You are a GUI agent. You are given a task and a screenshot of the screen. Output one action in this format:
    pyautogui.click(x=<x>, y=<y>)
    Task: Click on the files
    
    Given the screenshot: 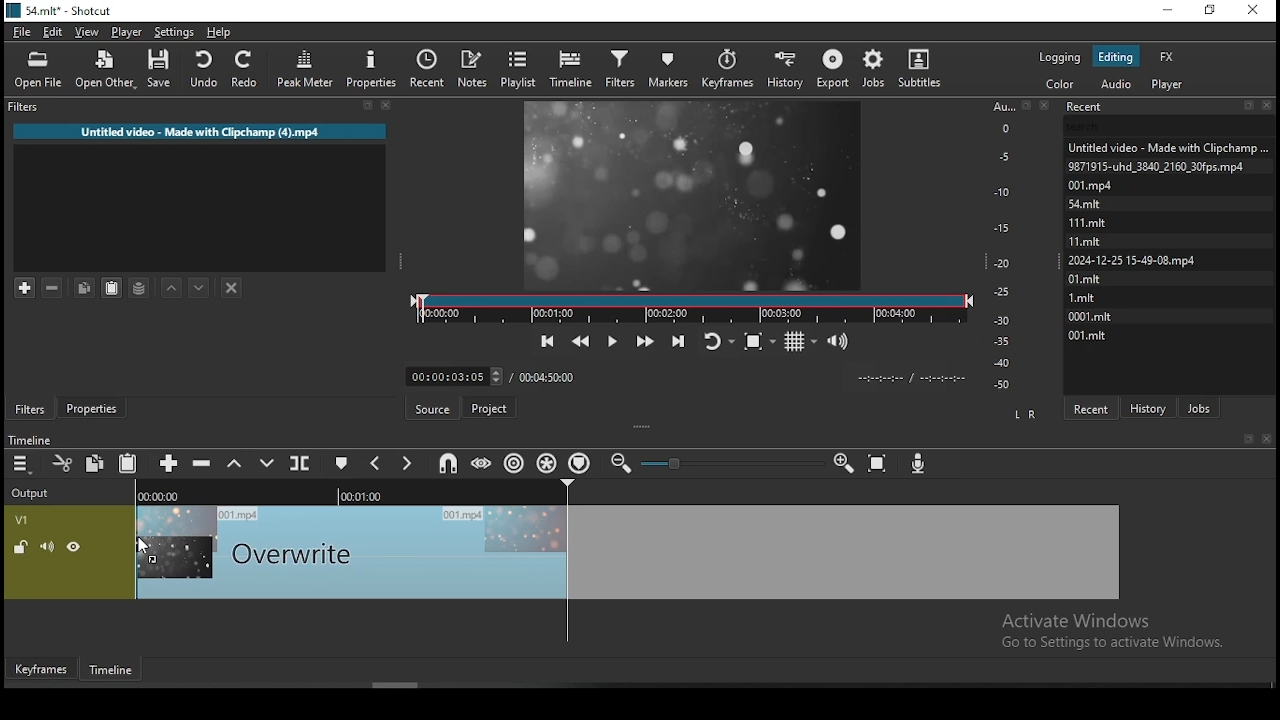 What is the action you would take?
    pyautogui.click(x=1131, y=262)
    